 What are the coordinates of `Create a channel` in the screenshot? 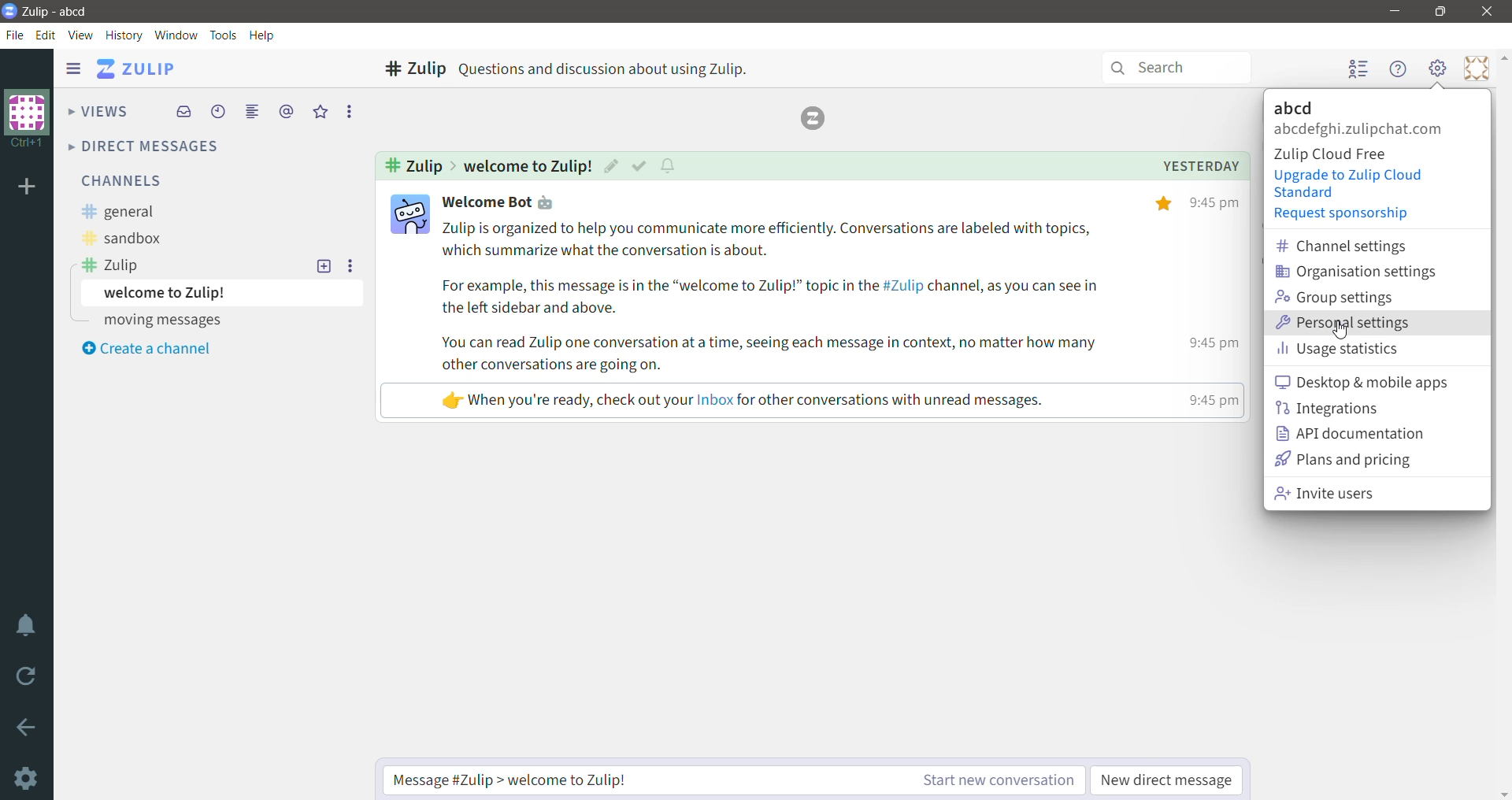 It's located at (146, 349).